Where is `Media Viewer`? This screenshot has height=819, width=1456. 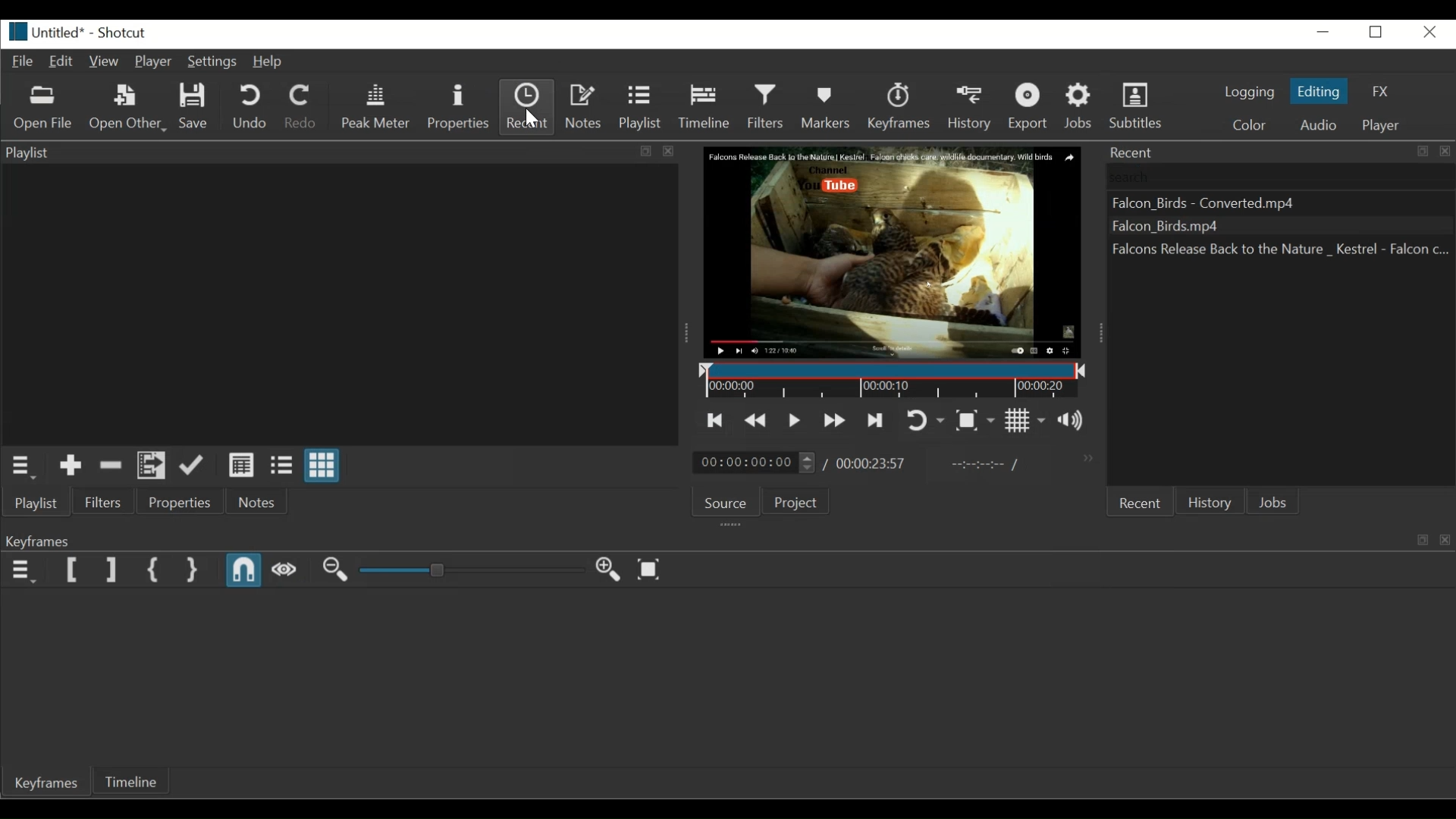 Media Viewer is located at coordinates (890, 253).